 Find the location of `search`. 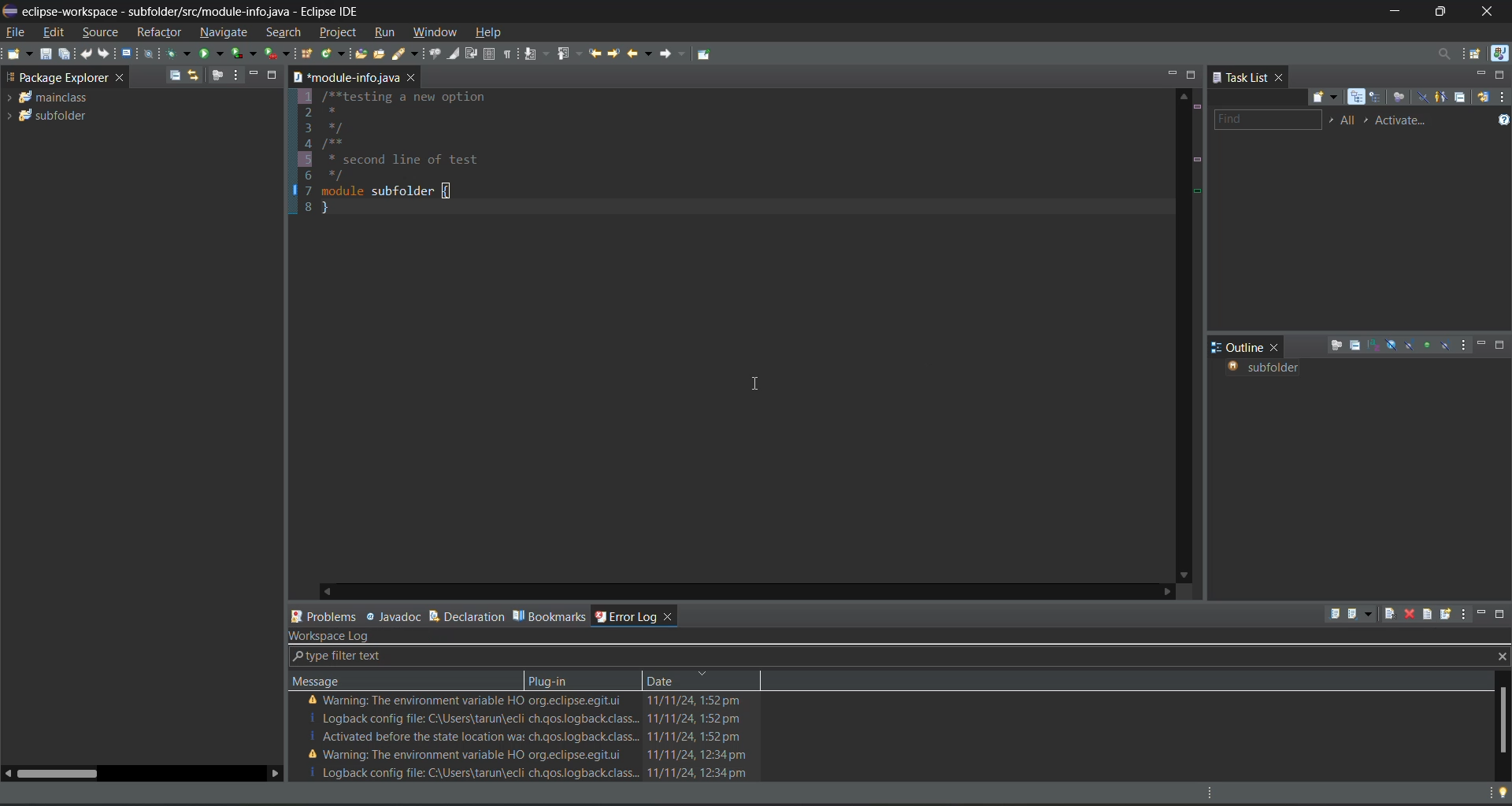

search is located at coordinates (409, 54).